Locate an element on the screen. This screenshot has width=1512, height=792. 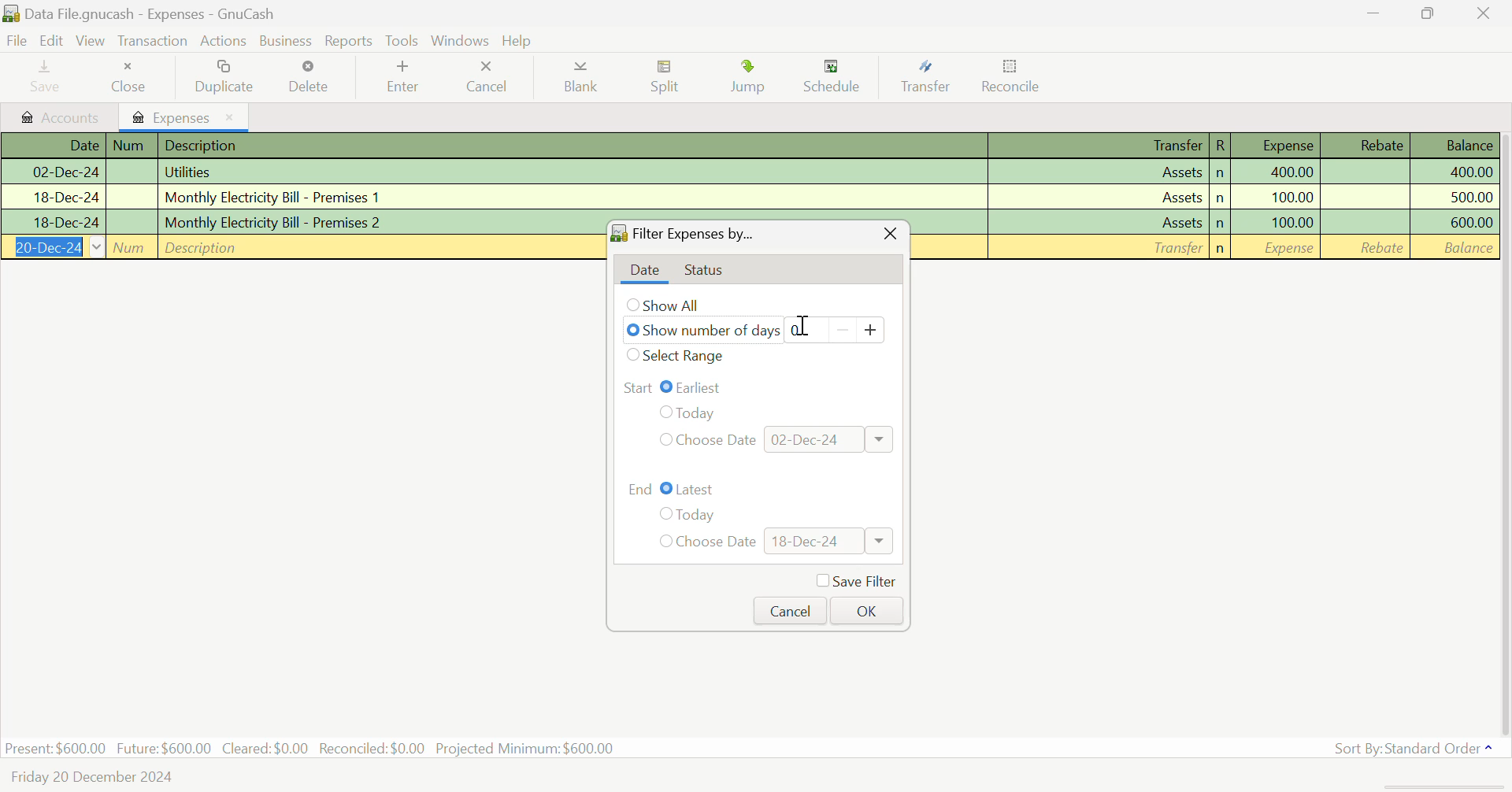
Amount is located at coordinates (1452, 224).